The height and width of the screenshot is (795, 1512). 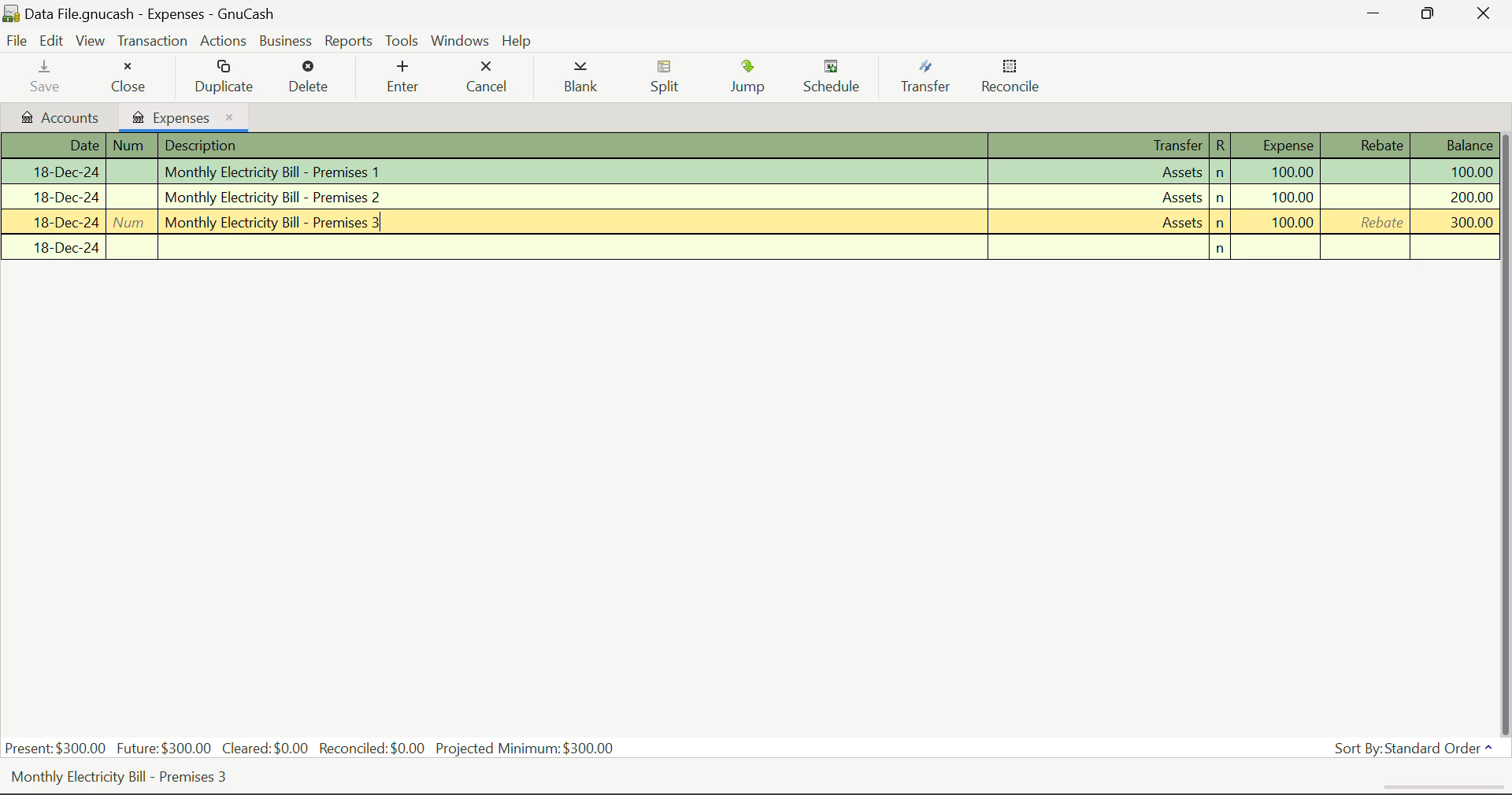 What do you see at coordinates (315, 749) in the screenshot?
I see `Present: $300.00 Future:$300.00 Cleared:$0.00 Reconciled:$0.00 Projected Minimum: $300.00` at bounding box center [315, 749].